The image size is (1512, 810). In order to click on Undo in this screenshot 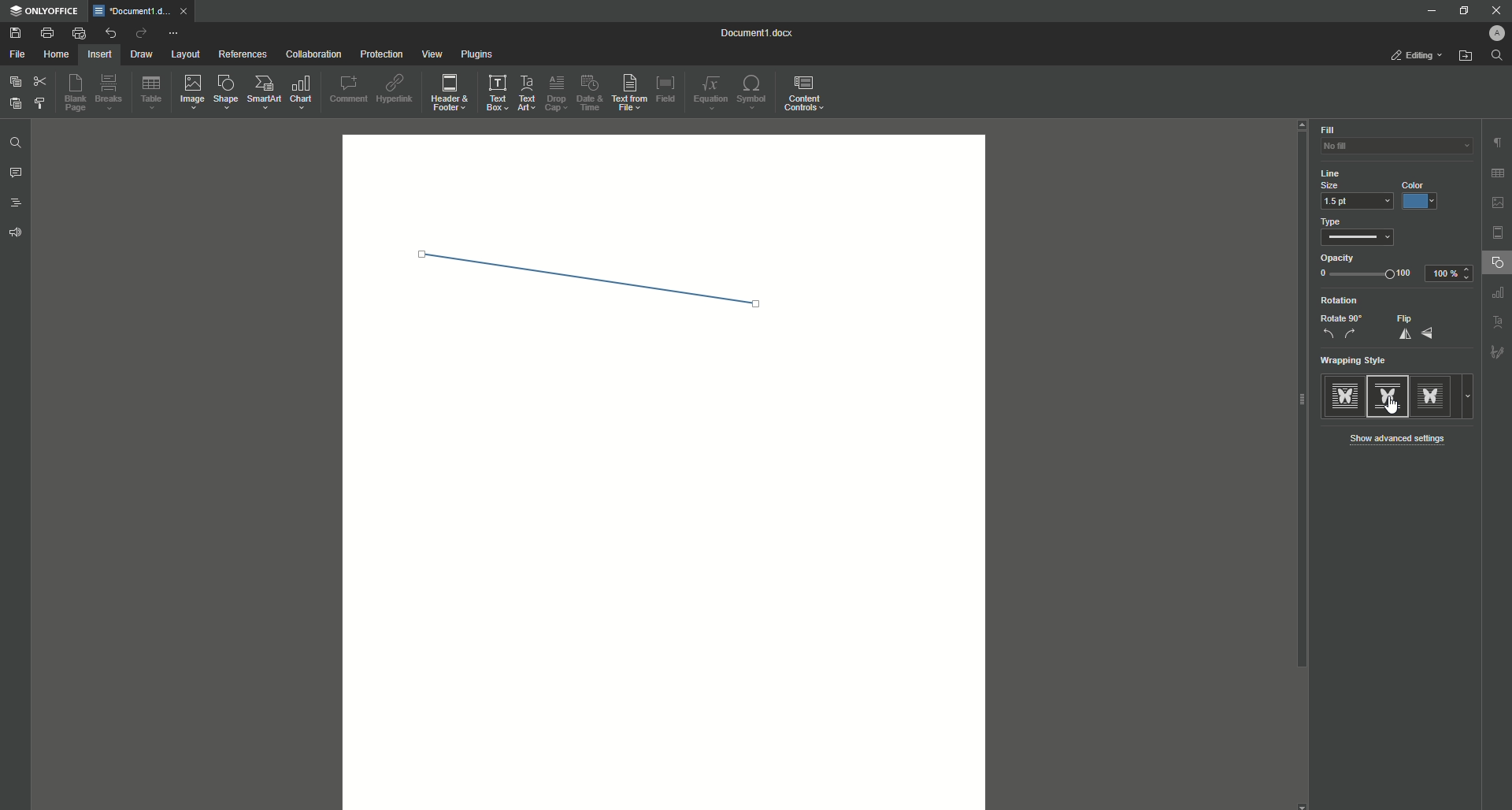, I will do `click(109, 32)`.